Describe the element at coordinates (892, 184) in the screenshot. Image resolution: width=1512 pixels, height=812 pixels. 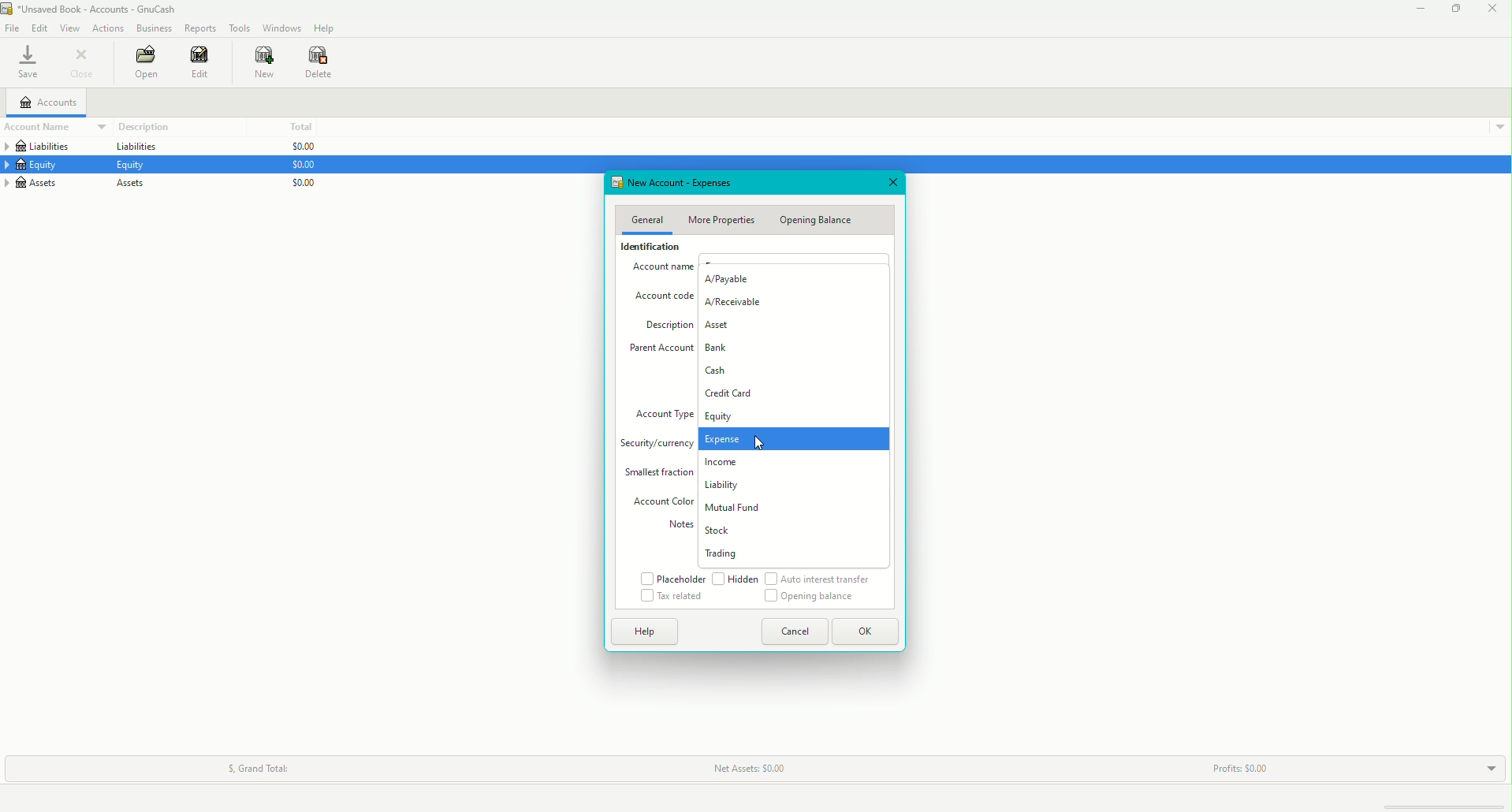
I see `Close` at that location.